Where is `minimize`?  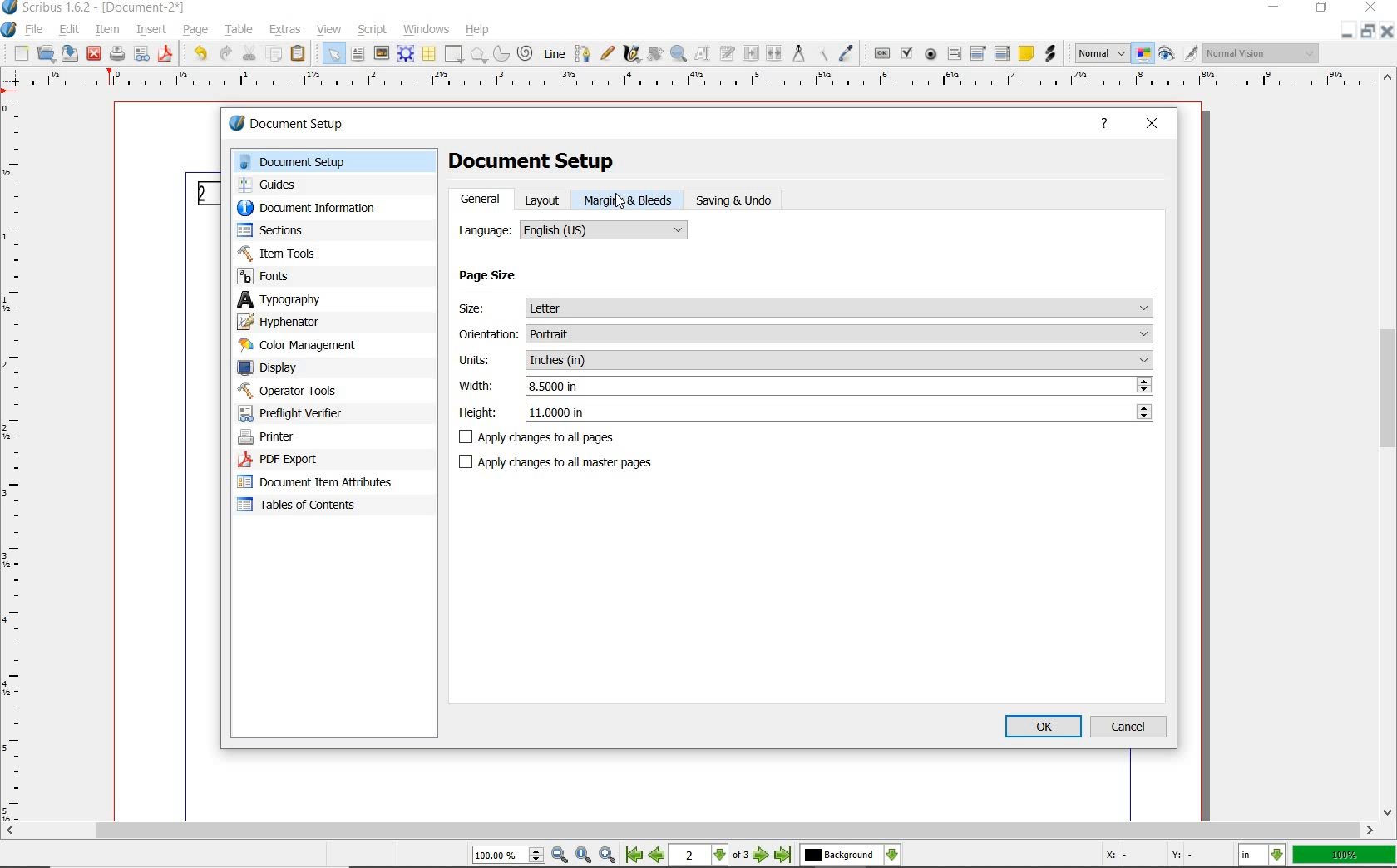 minimize is located at coordinates (1271, 7).